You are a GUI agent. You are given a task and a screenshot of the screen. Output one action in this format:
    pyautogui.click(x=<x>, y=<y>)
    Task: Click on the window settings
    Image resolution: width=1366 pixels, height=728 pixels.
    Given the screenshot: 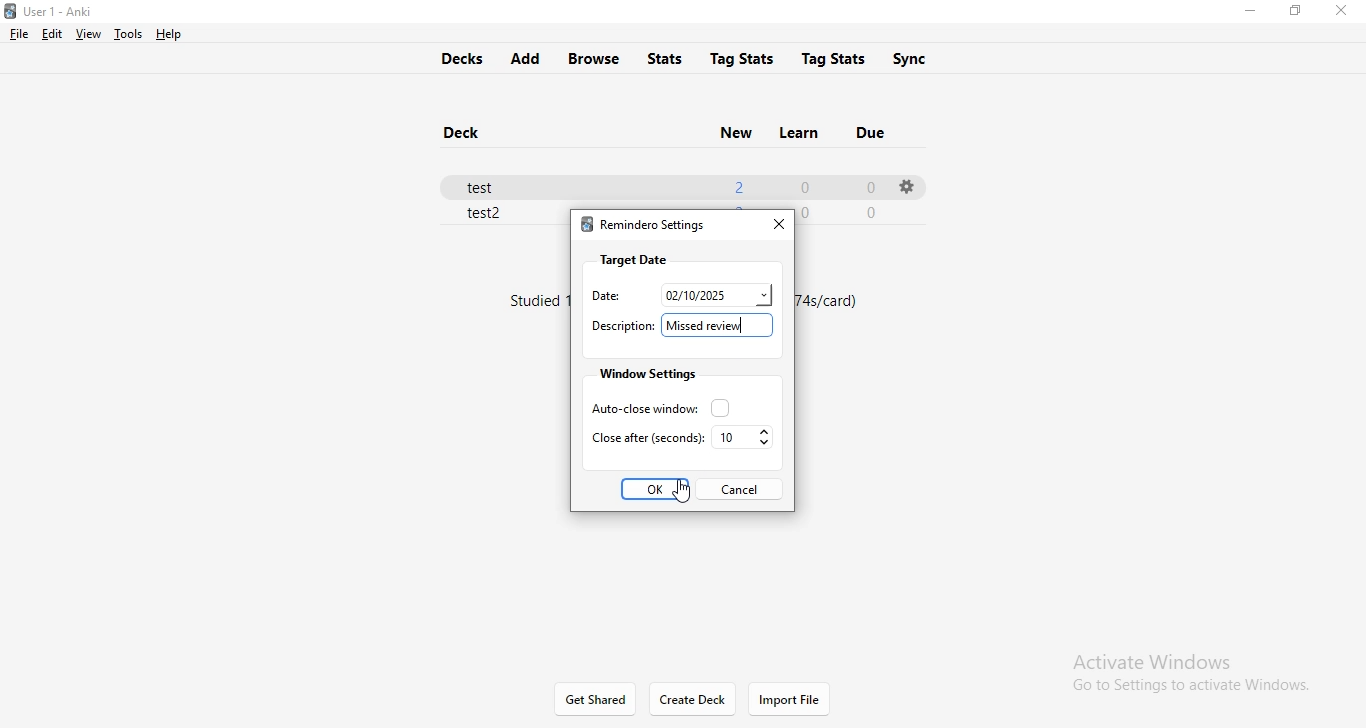 What is the action you would take?
    pyautogui.click(x=645, y=374)
    